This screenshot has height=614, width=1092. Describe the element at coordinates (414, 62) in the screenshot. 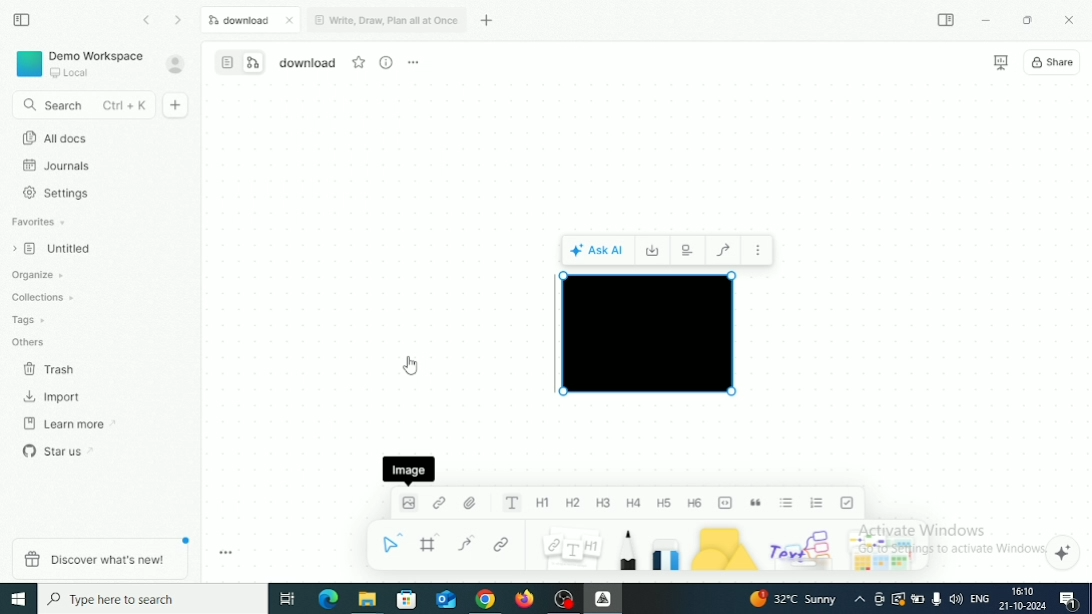

I see `More` at that location.